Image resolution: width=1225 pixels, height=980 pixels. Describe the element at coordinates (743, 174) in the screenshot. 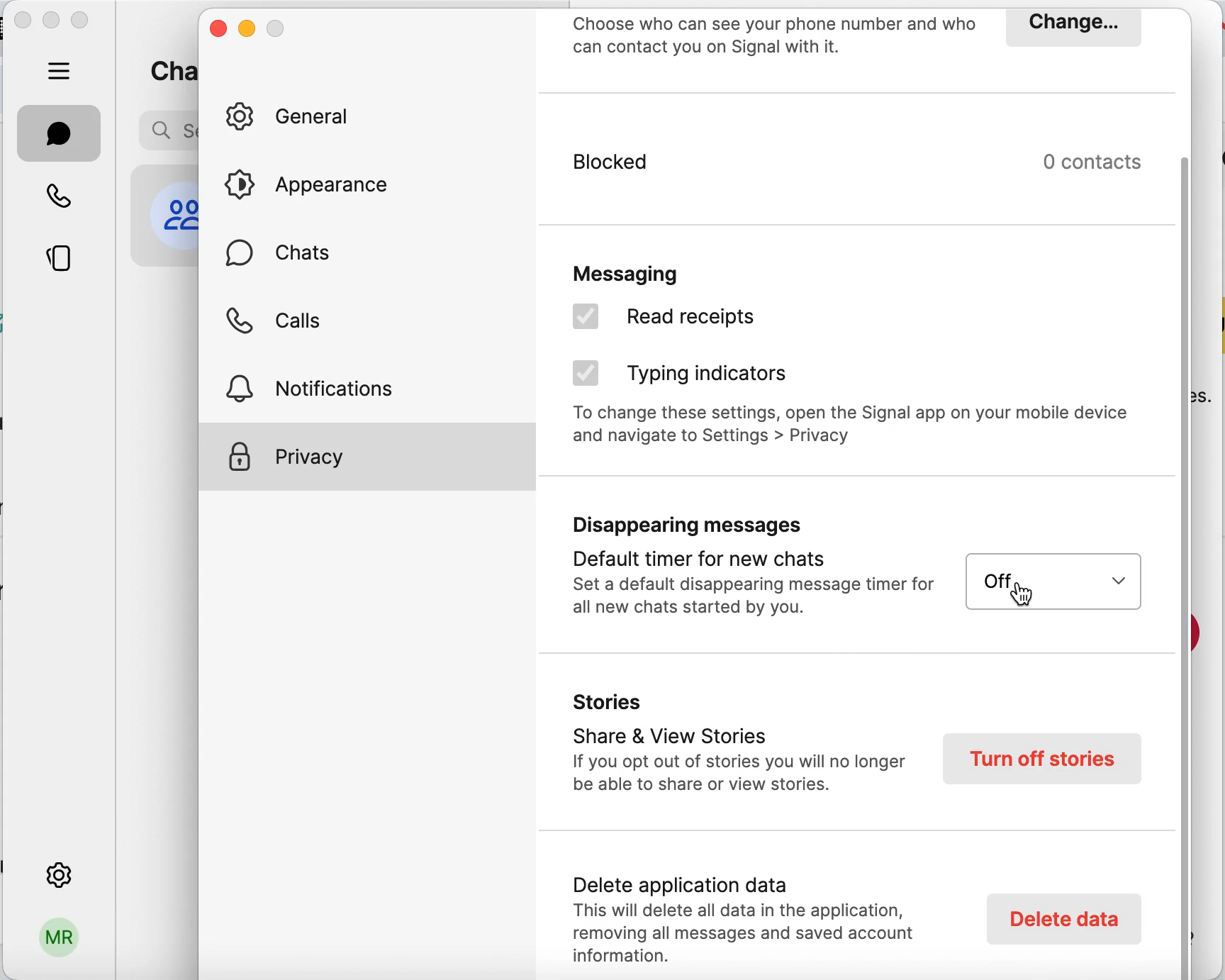

I see `blocked` at that location.